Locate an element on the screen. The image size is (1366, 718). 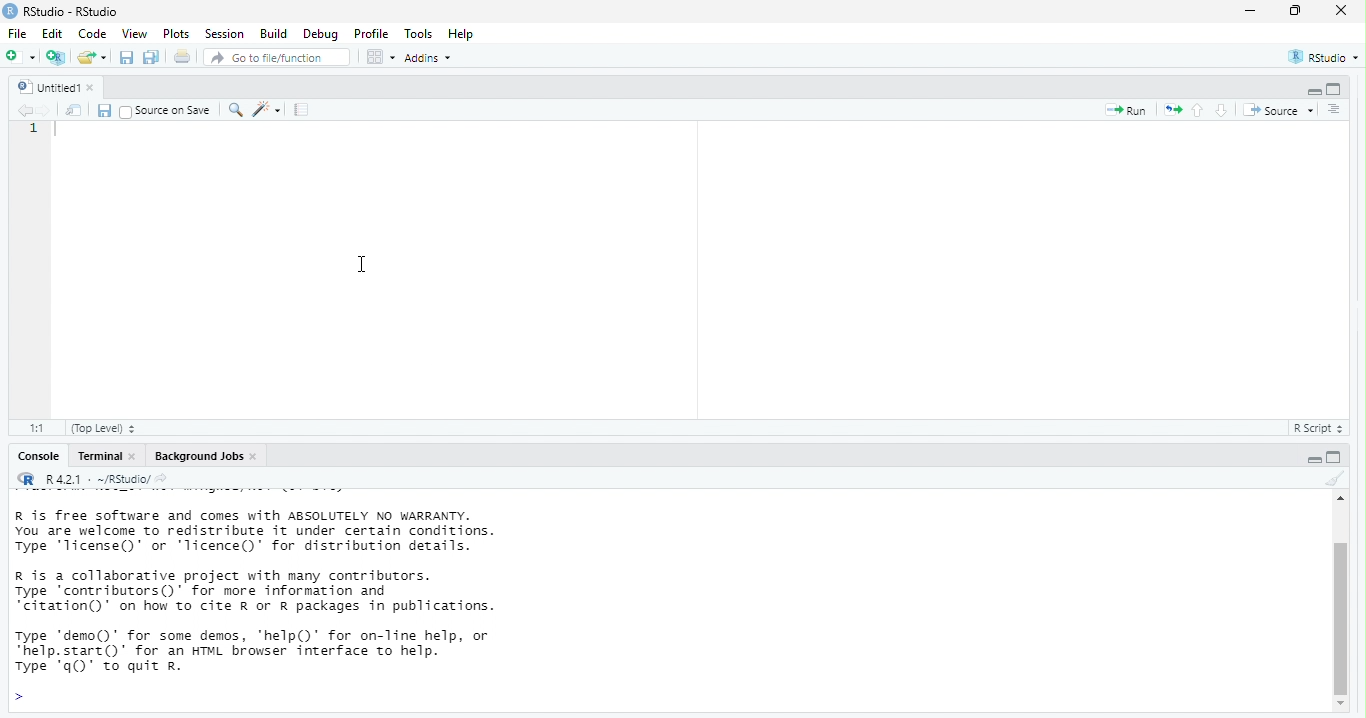
show document online is located at coordinates (1342, 111).